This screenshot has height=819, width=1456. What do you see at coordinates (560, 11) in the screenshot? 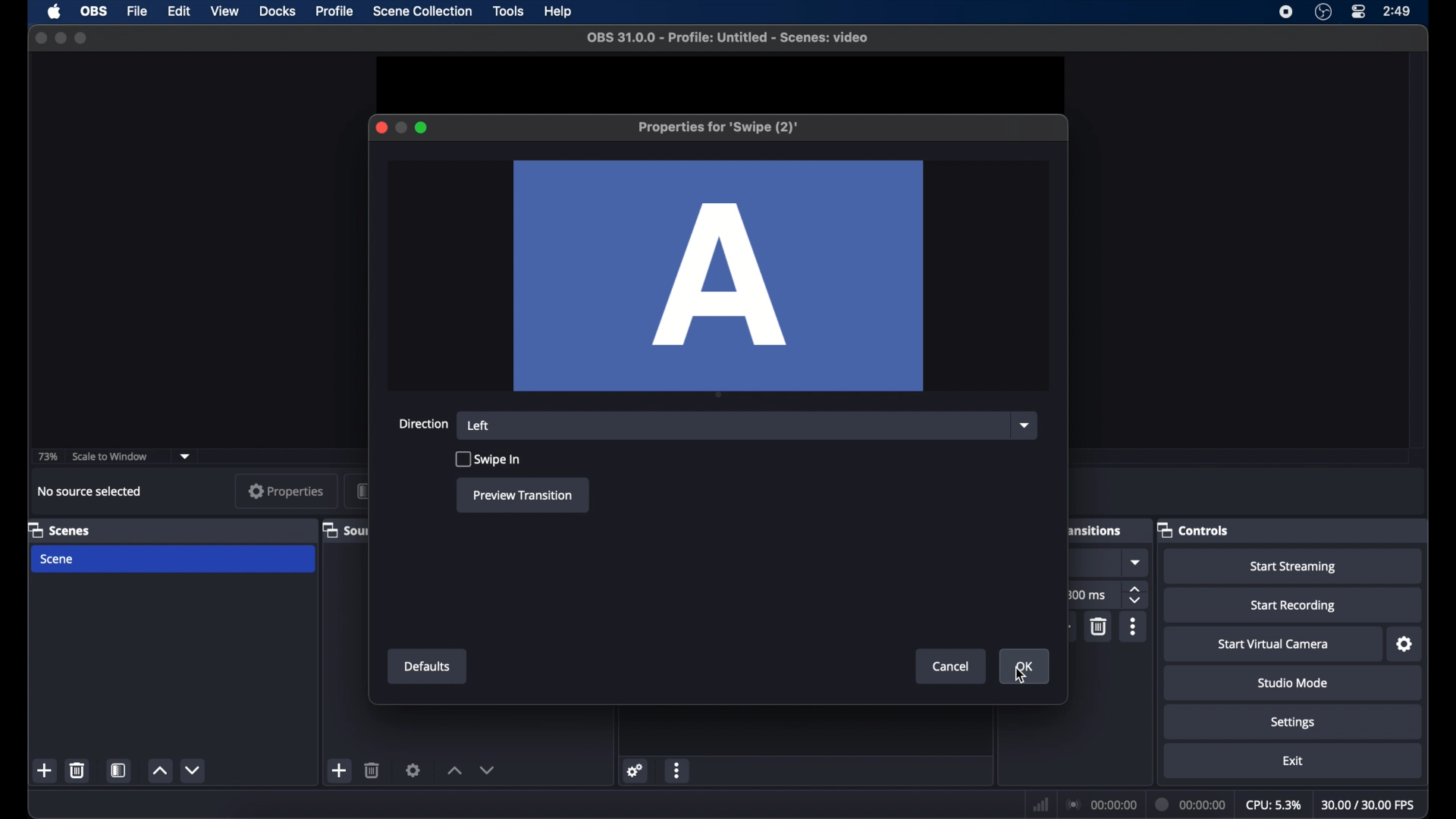
I see `help` at bounding box center [560, 11].